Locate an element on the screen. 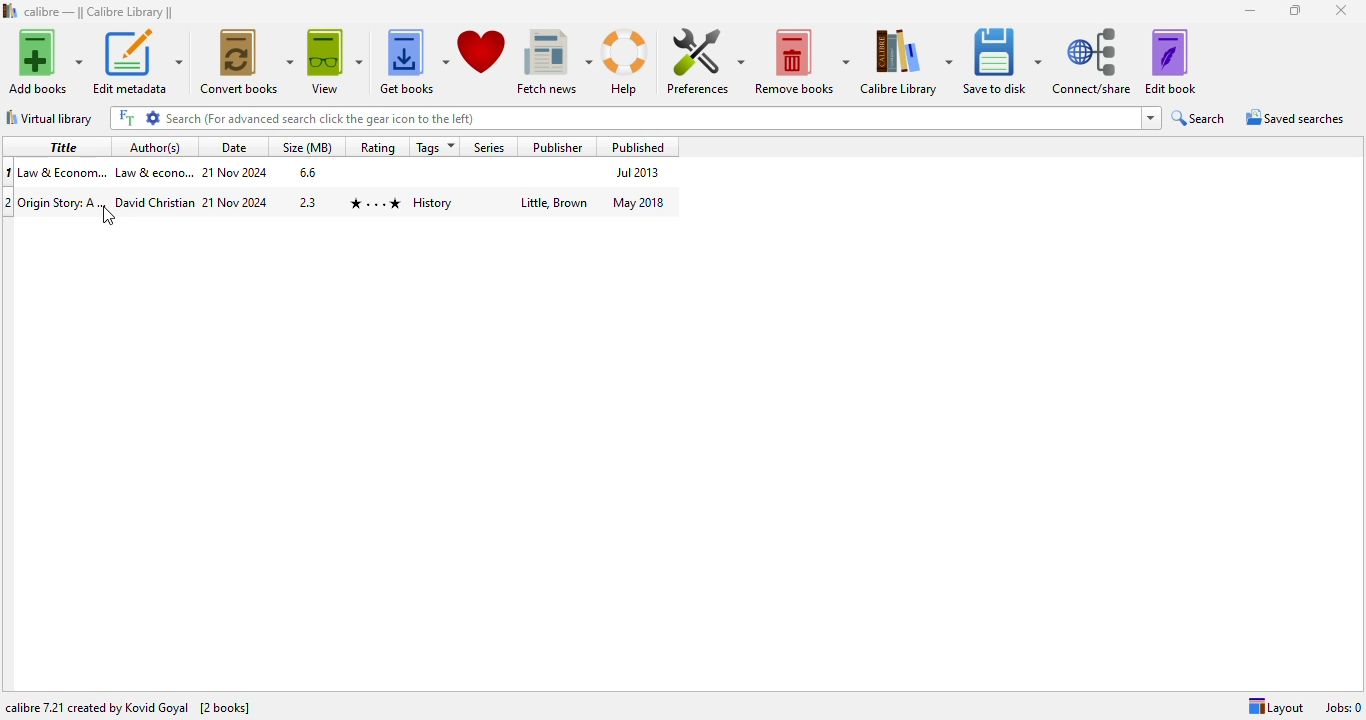 This screenshot has width=1366, height=720. publisher is located at coordinates (558, 147).